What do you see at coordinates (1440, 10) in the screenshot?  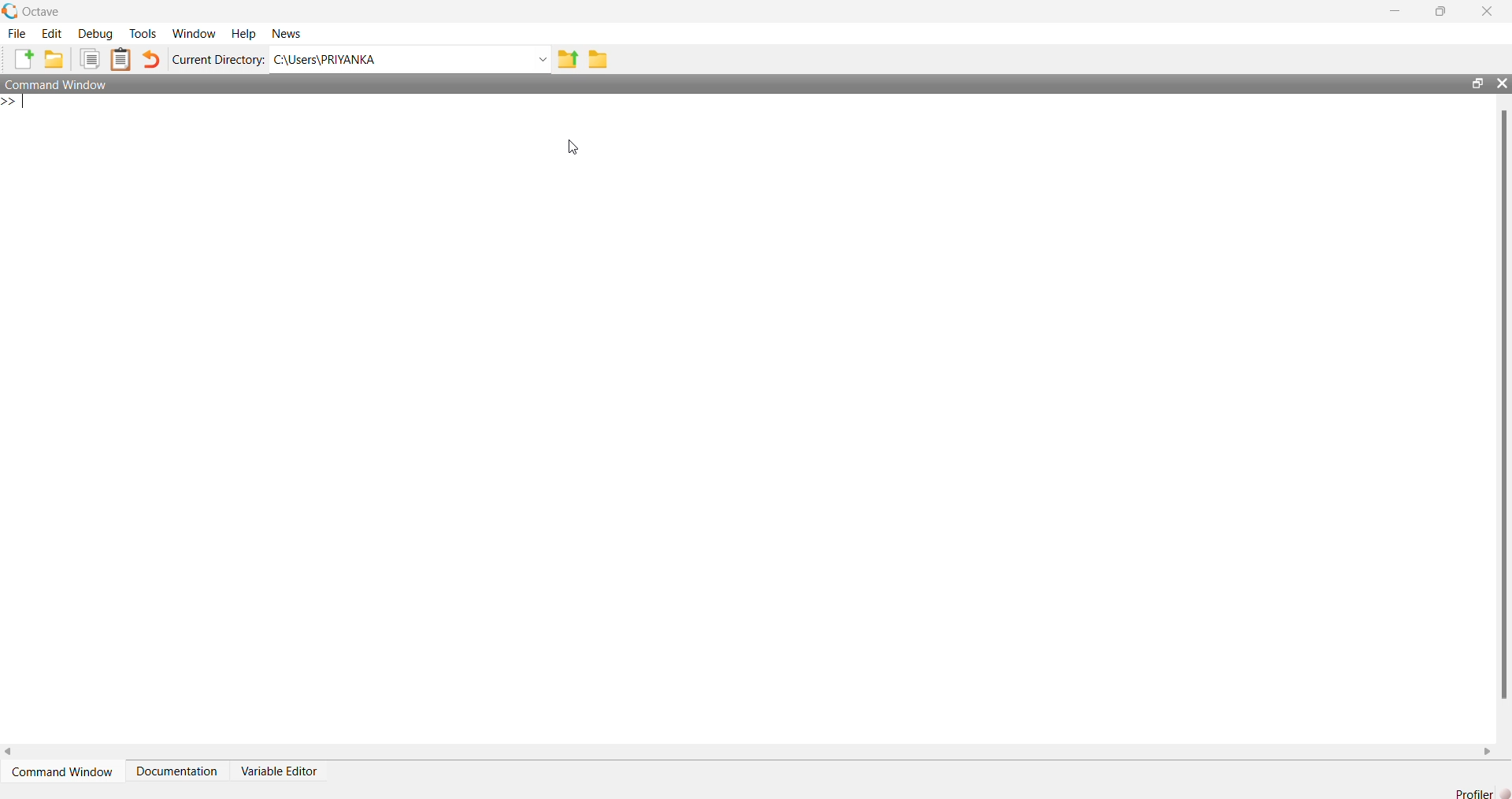 I see `restore` at bounding box center [1440, 10].